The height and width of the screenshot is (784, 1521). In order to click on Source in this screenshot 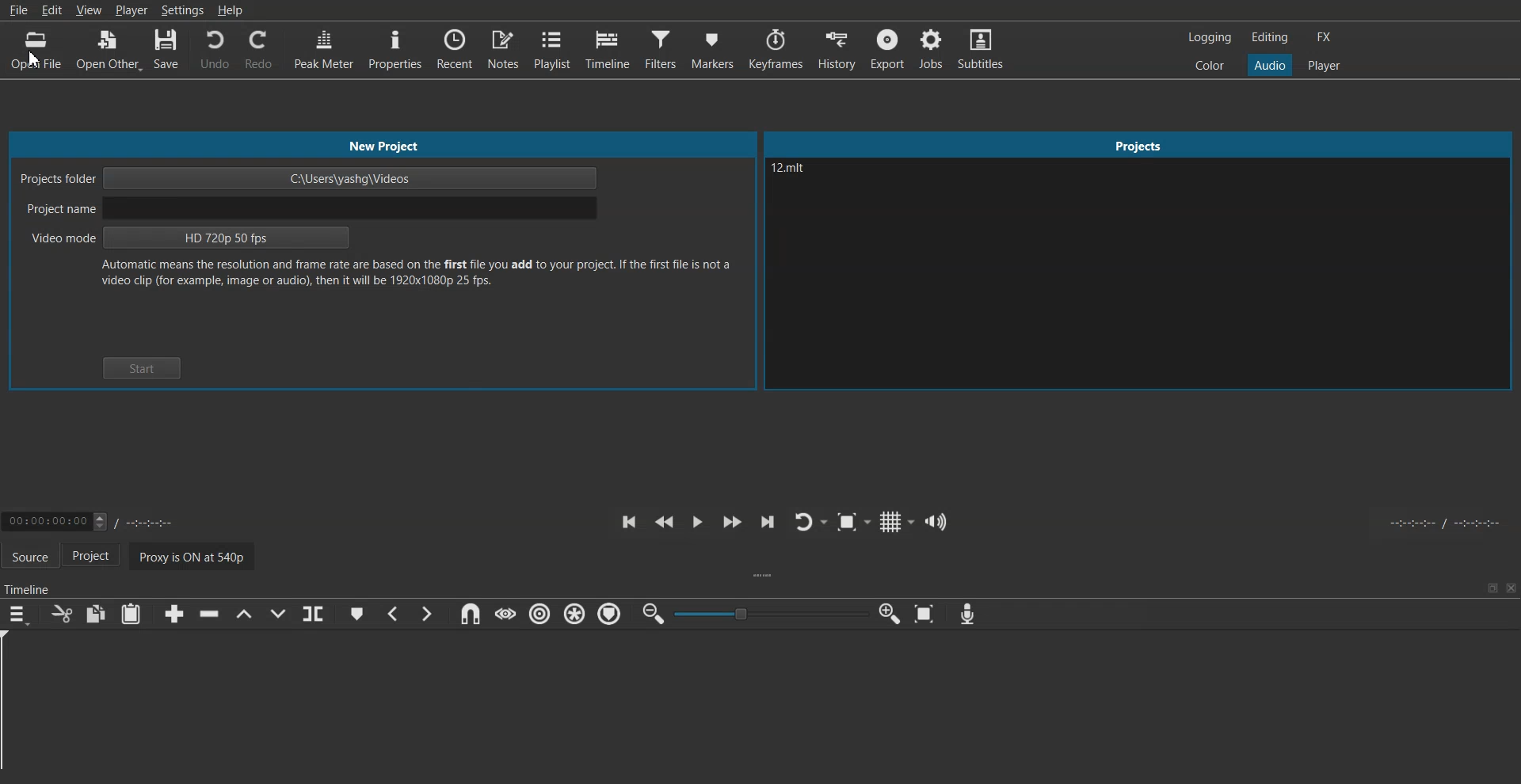, I will do `click(29, 554)`.